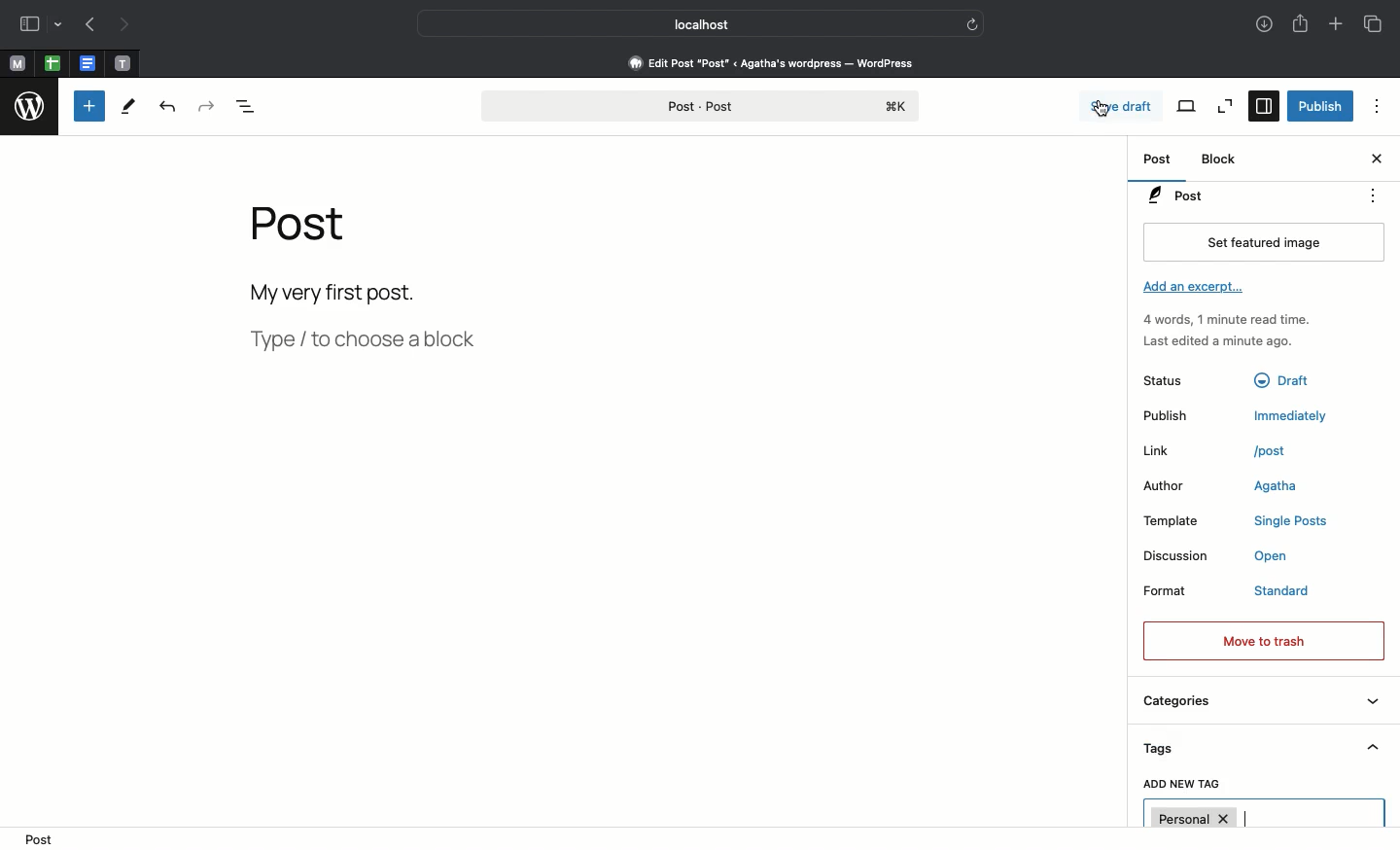 This screenshot has height=850, width=1400. Describe the element at coordinates (1264, 639) in the screenshot. I see `Move to trash` at that location.